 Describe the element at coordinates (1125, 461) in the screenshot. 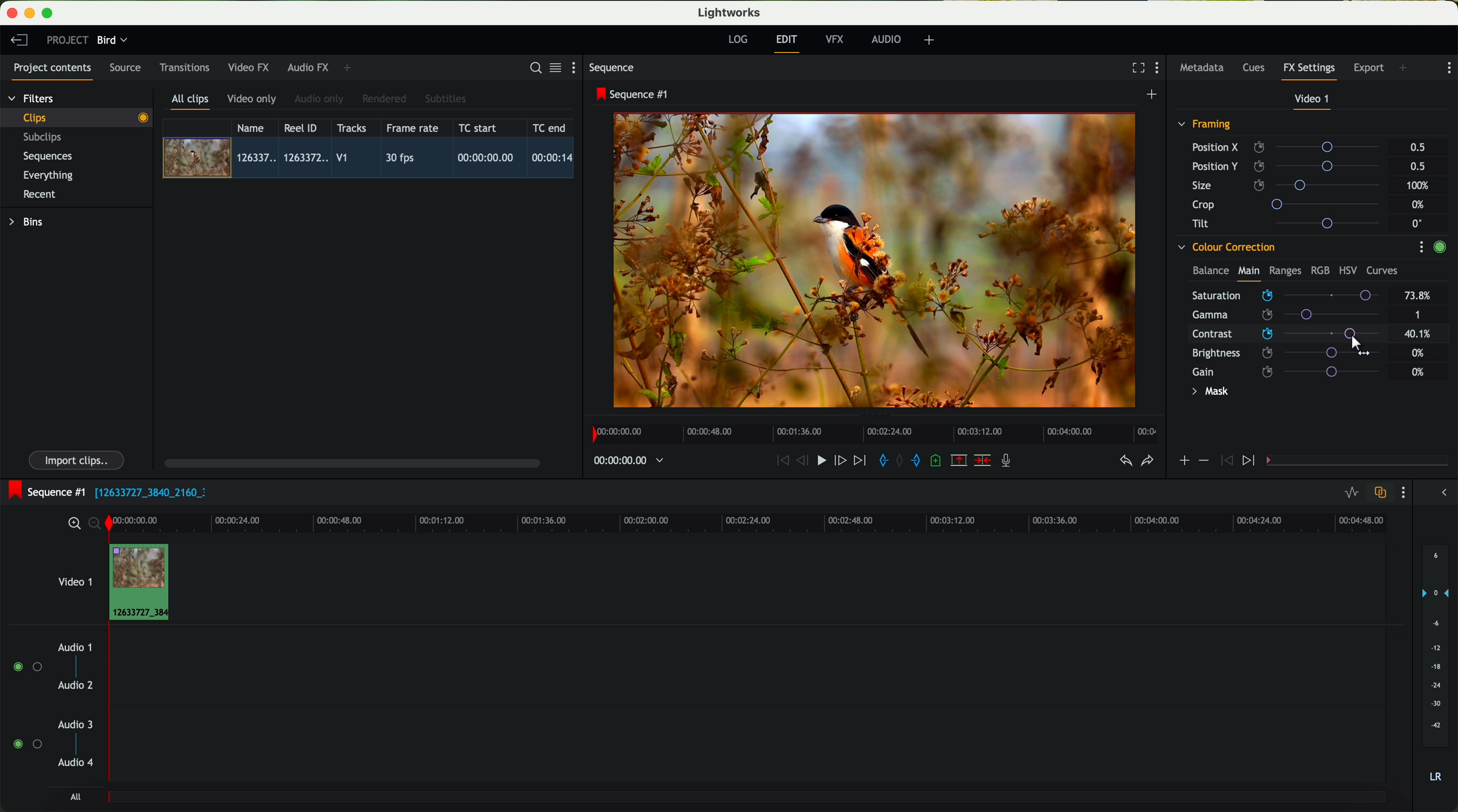

I see `undo` at that location.